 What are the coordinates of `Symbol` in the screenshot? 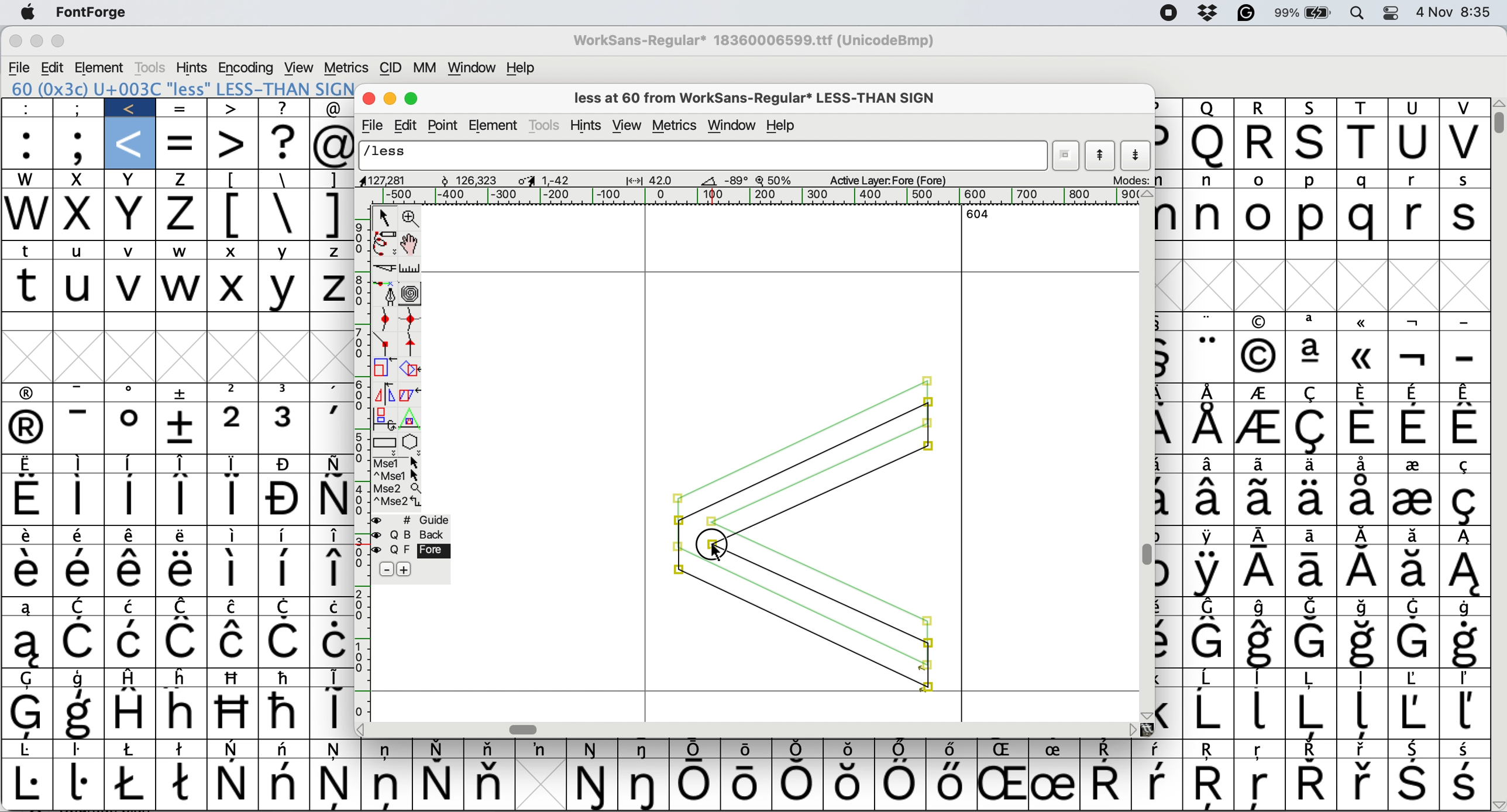 It's located at (1209, 500).